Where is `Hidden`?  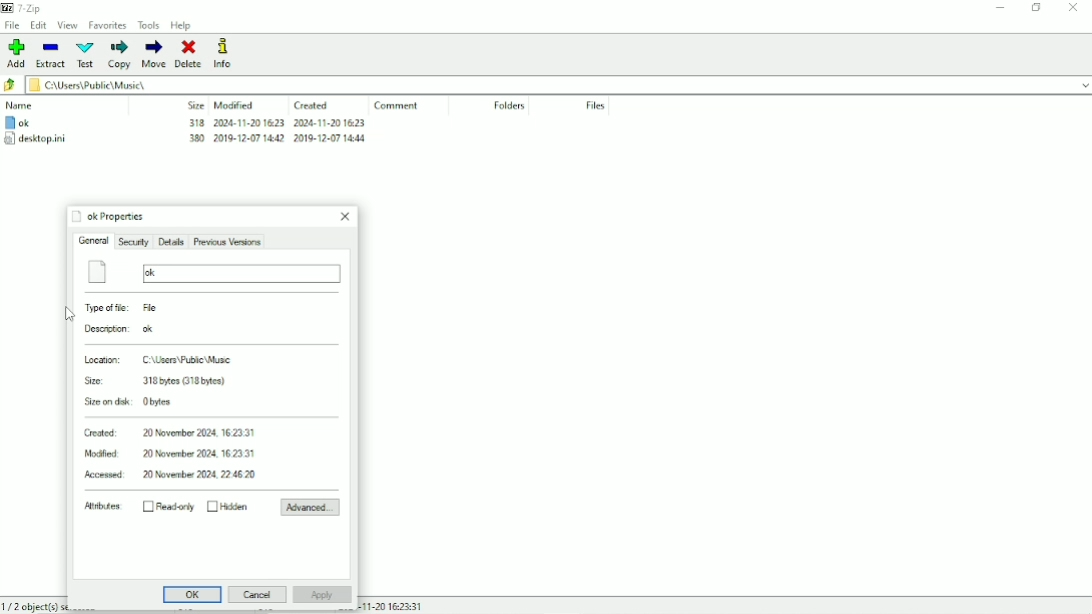 Hidden is located at coordinates (230, 507).